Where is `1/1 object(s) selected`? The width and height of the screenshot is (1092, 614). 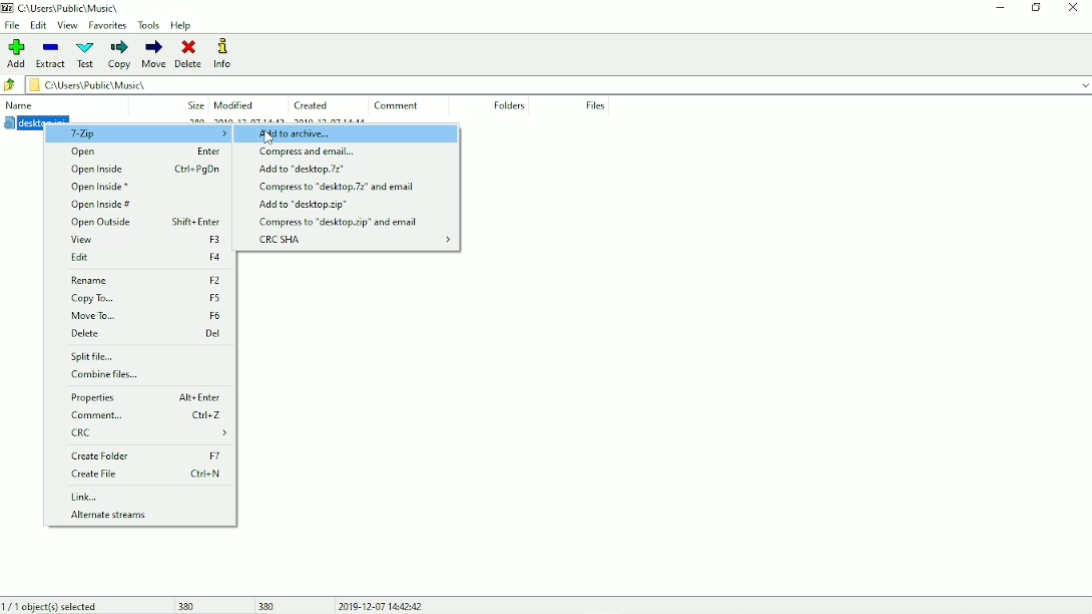
1/1 object(s) selected is located at coordinates (55, 605).